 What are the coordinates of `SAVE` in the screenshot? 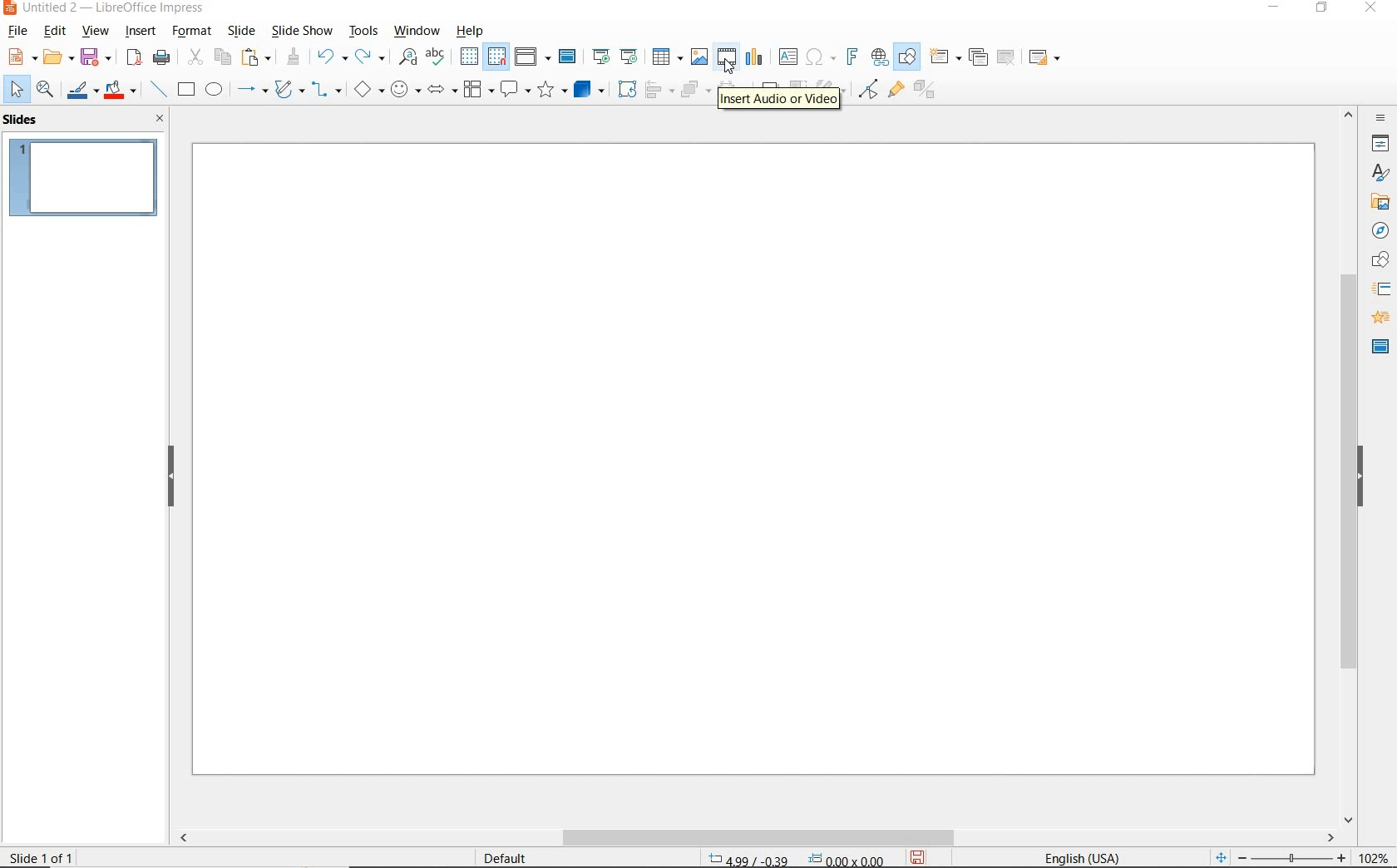 It's located at (96, 57).